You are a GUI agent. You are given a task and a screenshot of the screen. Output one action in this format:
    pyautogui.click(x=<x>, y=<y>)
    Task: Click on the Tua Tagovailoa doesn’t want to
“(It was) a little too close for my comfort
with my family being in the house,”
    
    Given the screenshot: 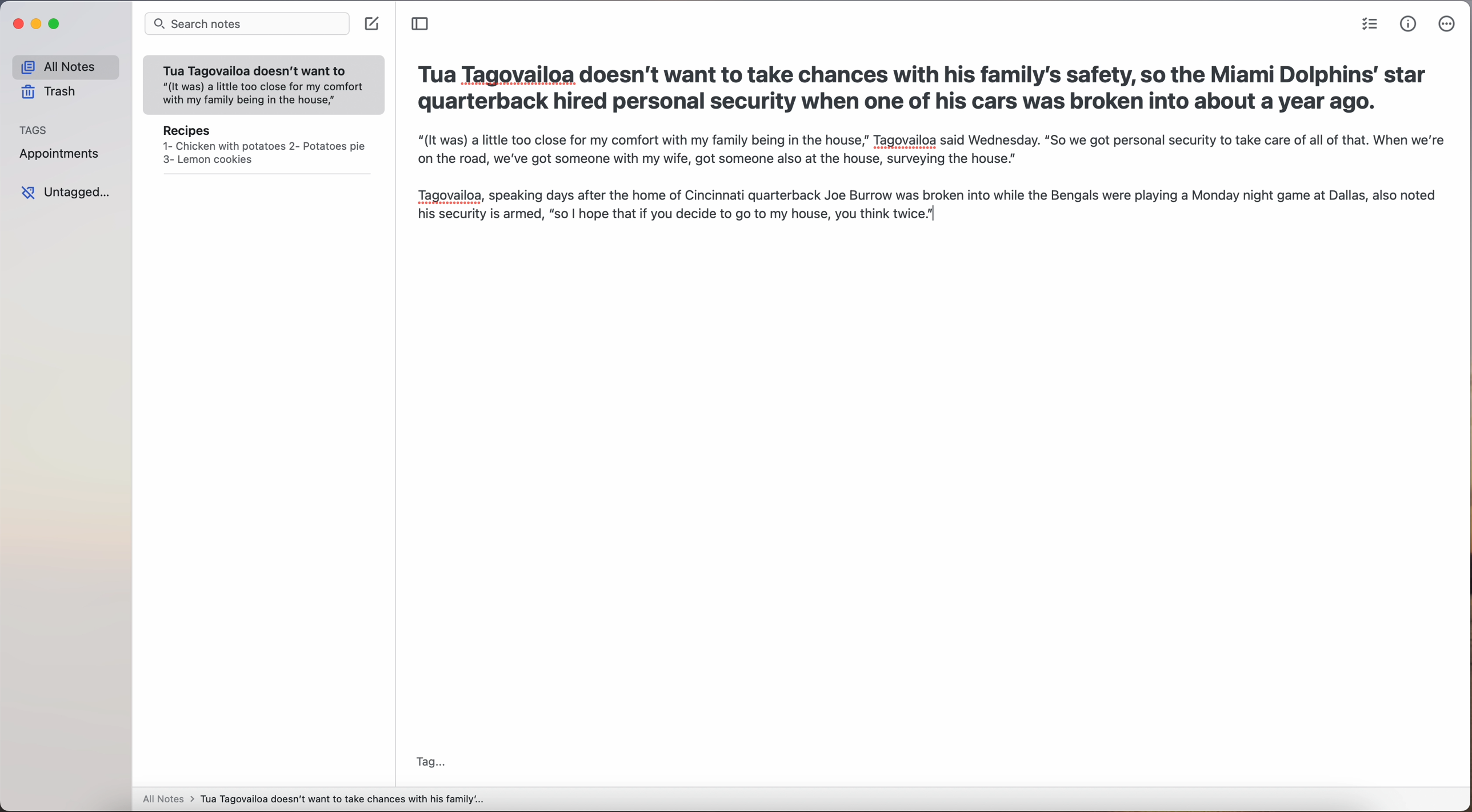 What is the action you would take?
    pyautogui.click(x=265, y=81)
    